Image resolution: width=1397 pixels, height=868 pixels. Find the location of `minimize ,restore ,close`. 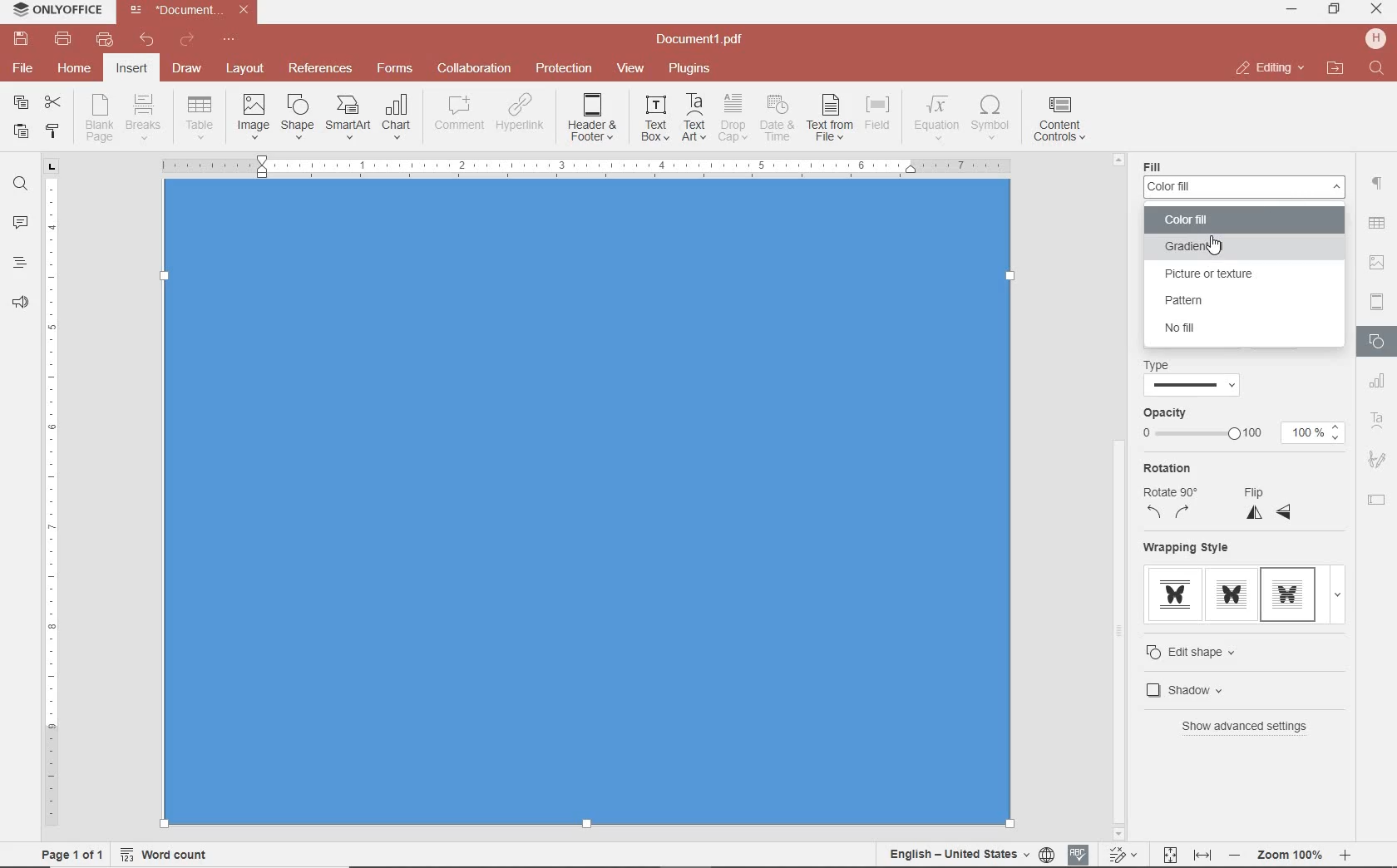

minimize ,restore ,close is located at coordinates (1380, 10).